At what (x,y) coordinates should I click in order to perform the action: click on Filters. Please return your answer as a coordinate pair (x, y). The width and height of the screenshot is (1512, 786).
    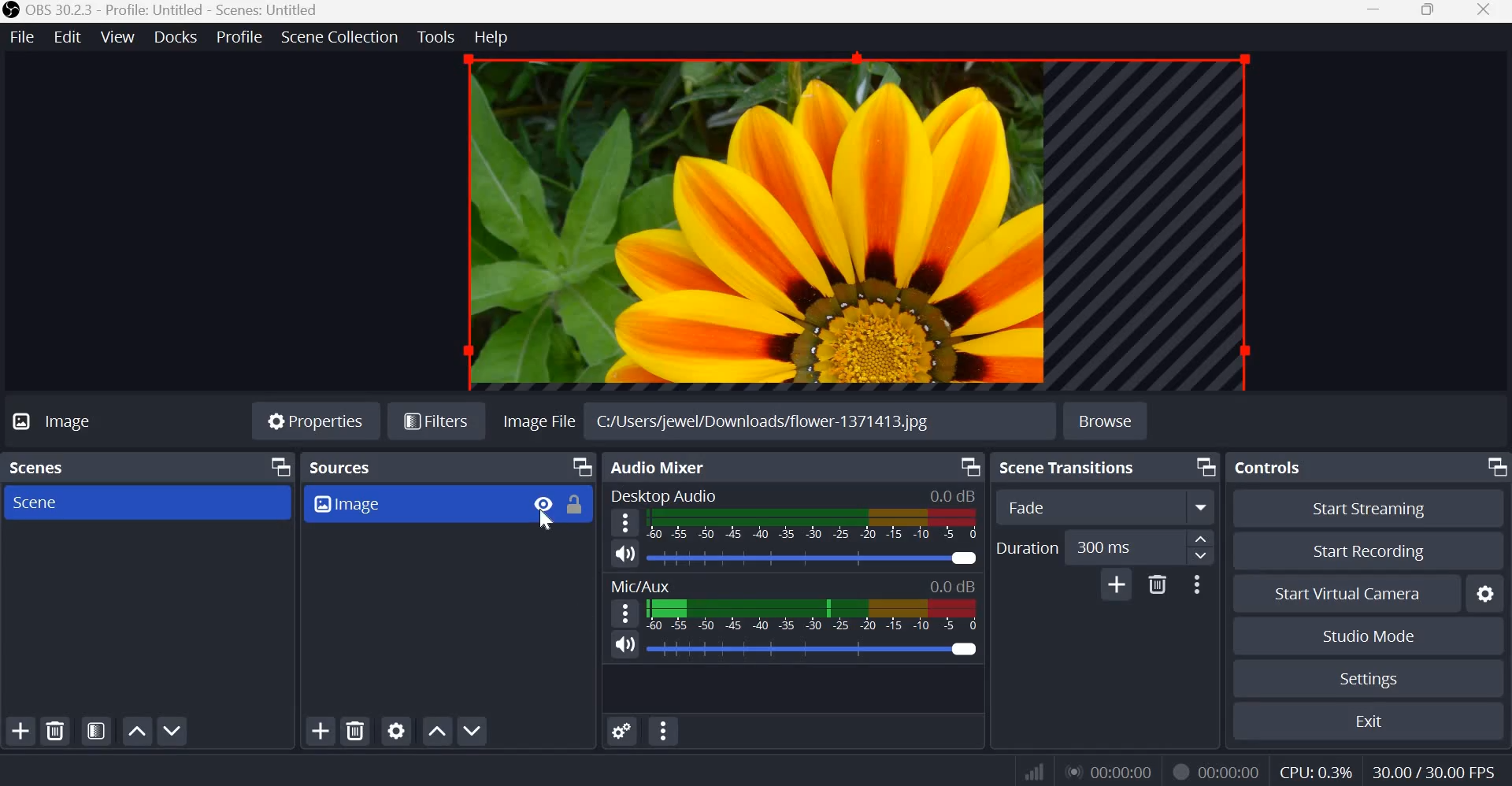
    Looking at the image, I should click on (437, 420).